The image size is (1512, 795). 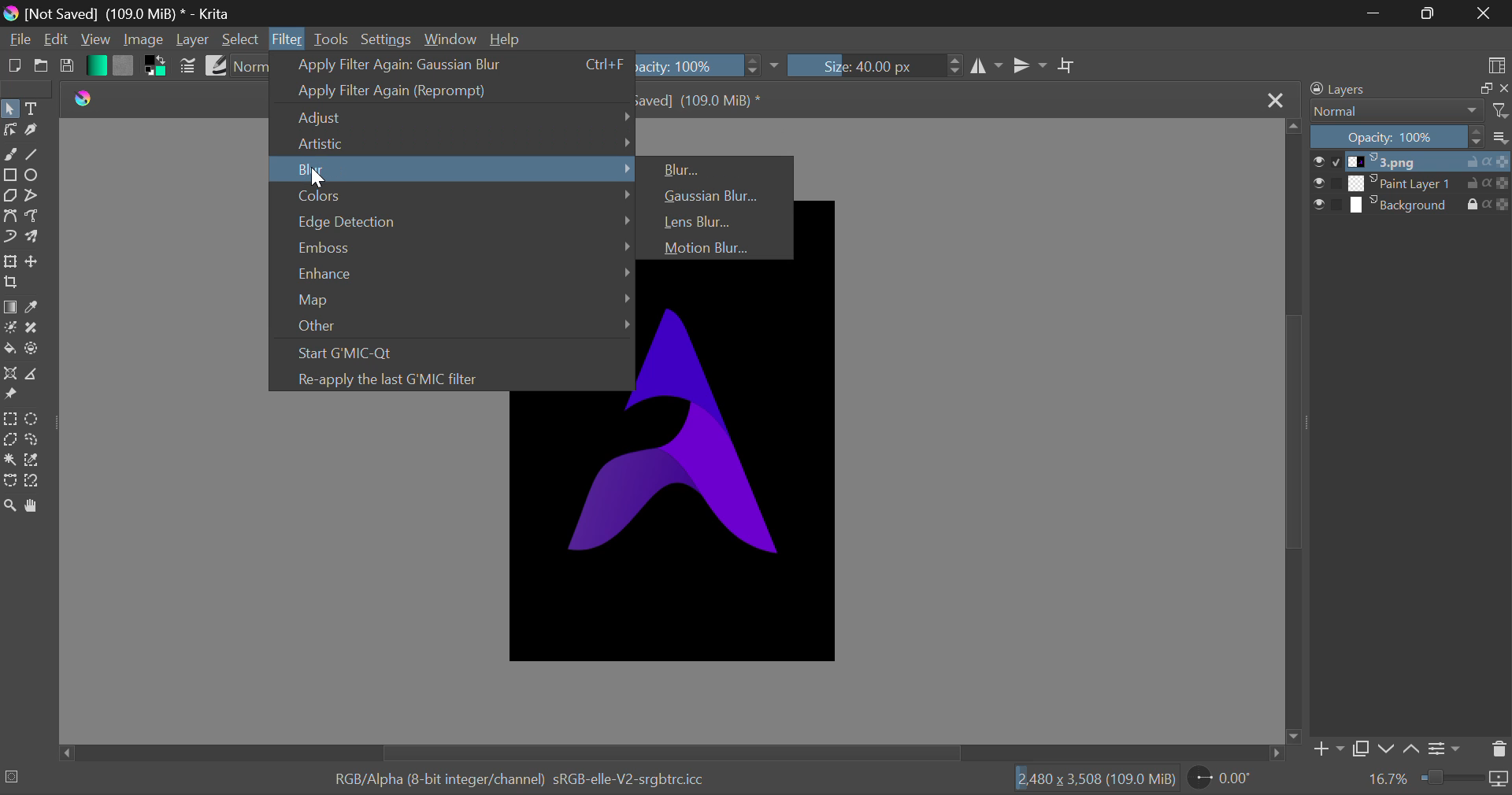 I want to click on Size: 40.00 px, so click(x=863, y=66).